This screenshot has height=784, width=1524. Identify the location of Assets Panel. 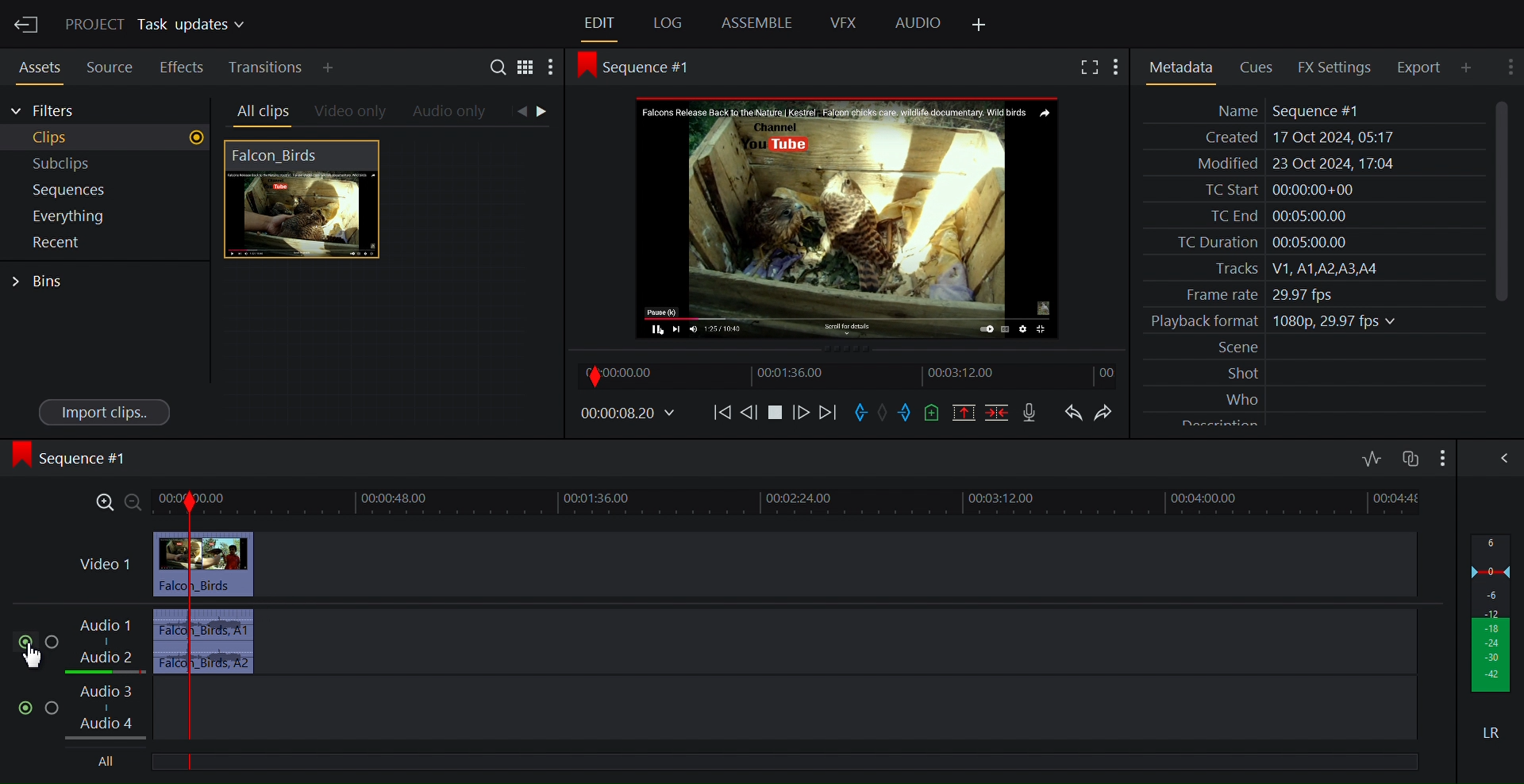
(35, 65).